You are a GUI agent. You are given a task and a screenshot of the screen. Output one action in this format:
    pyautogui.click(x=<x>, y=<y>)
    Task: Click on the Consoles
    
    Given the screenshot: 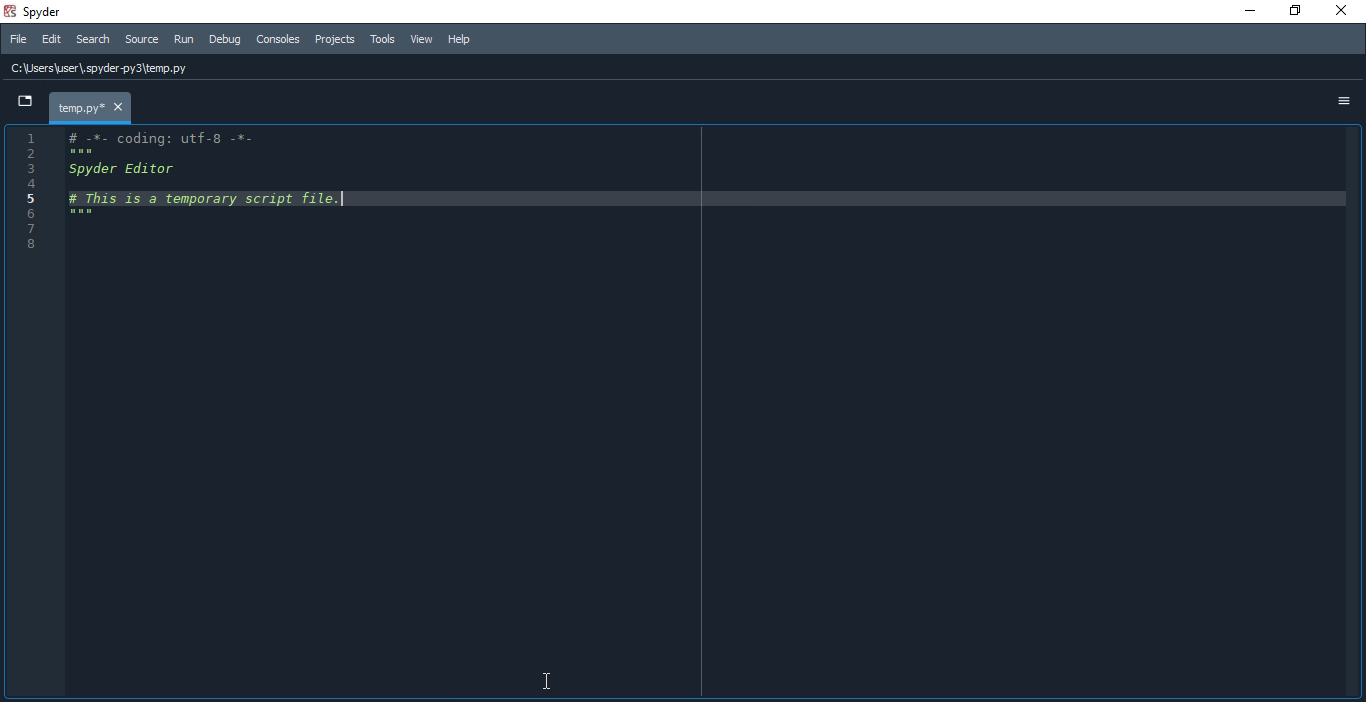 What is the action you would take?
    pyautogui.click(x=277, y=39)
    